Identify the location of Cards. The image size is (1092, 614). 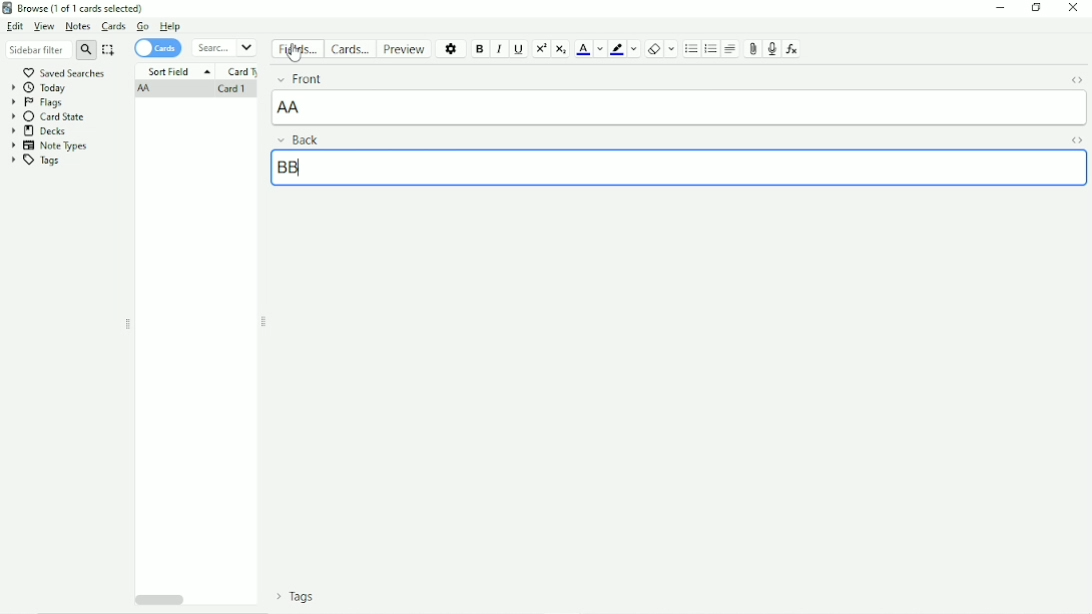
(158, 49).